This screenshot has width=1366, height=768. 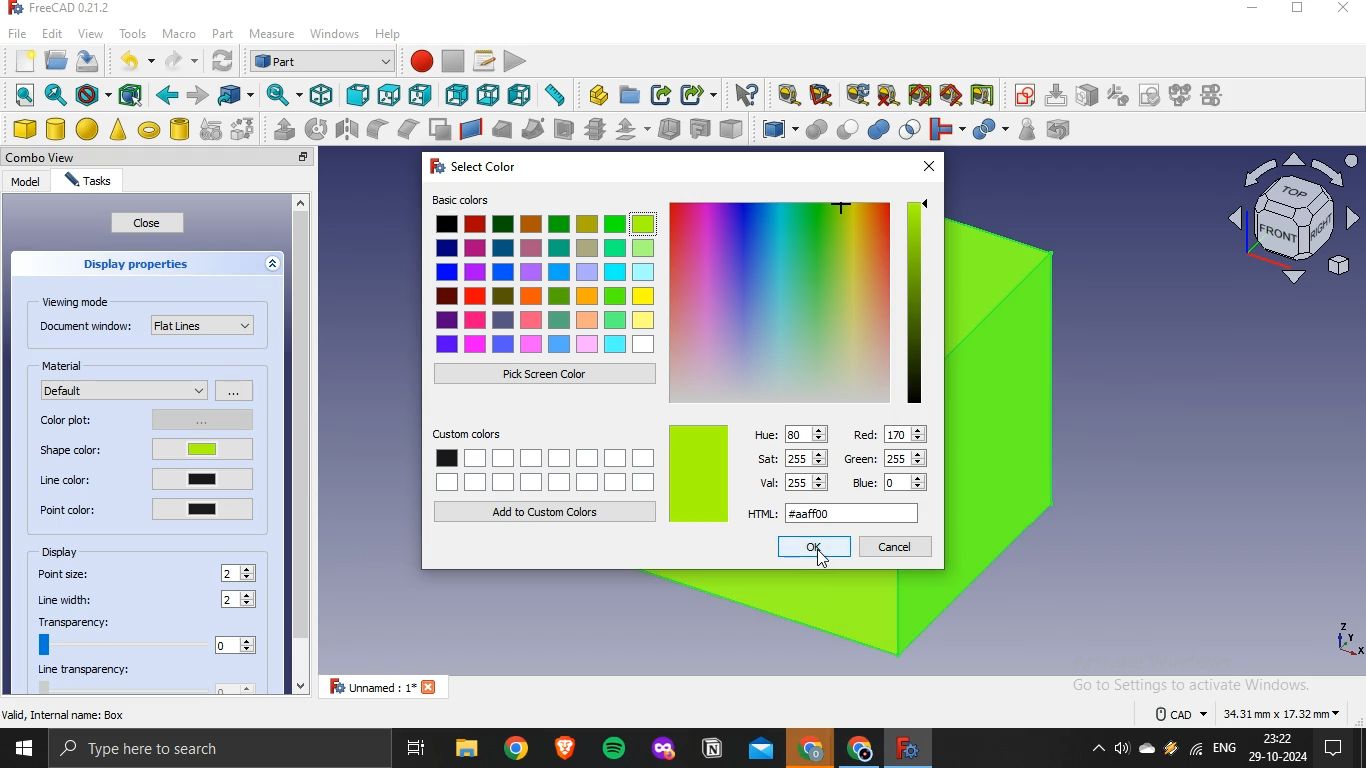 What do you see at coordinates (662, 95) in the screenshot?
I see `make link` at bounding box center [662, 95].